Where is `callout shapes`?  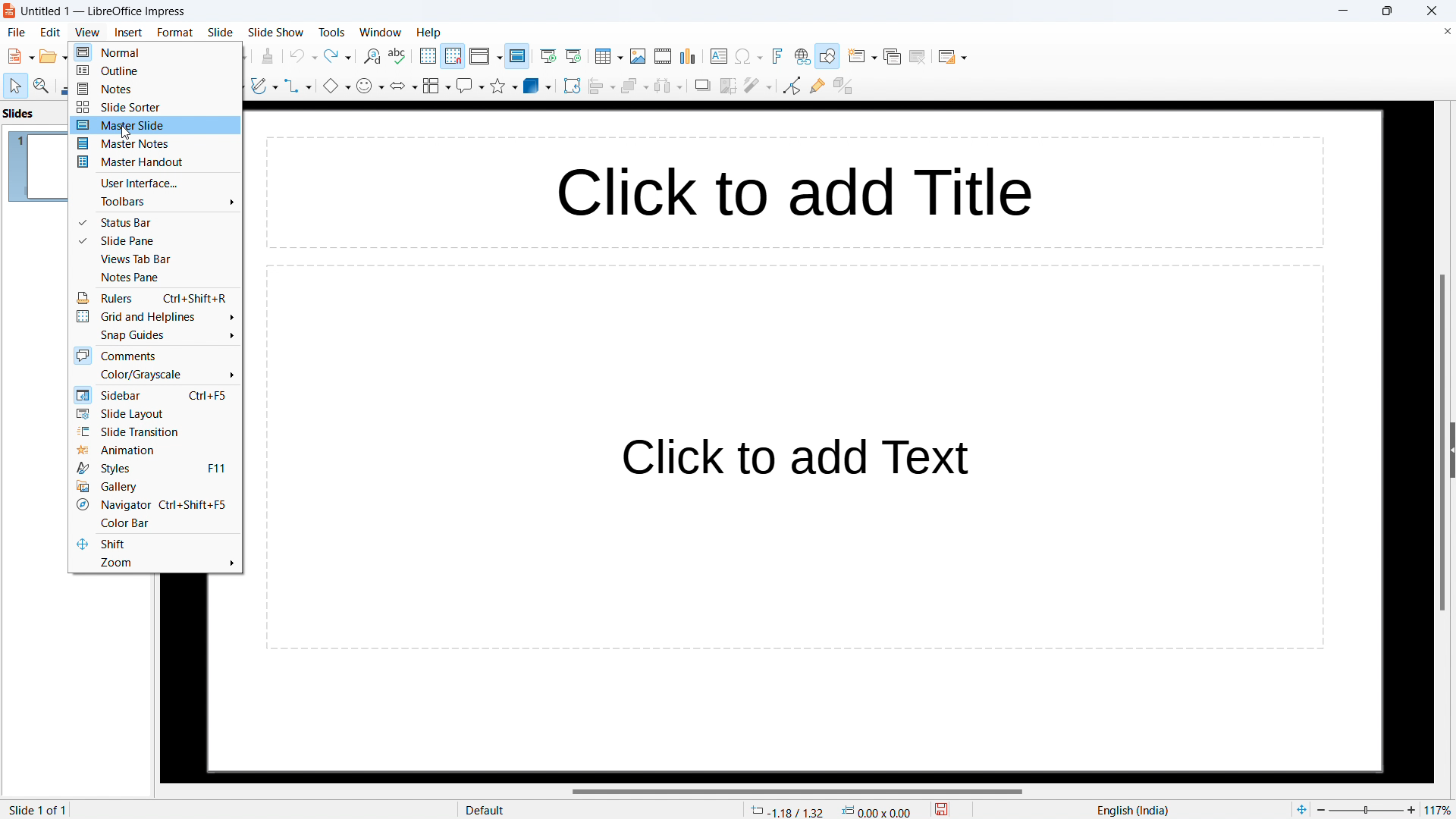 callout shapes is located at coordinates (470, 86).